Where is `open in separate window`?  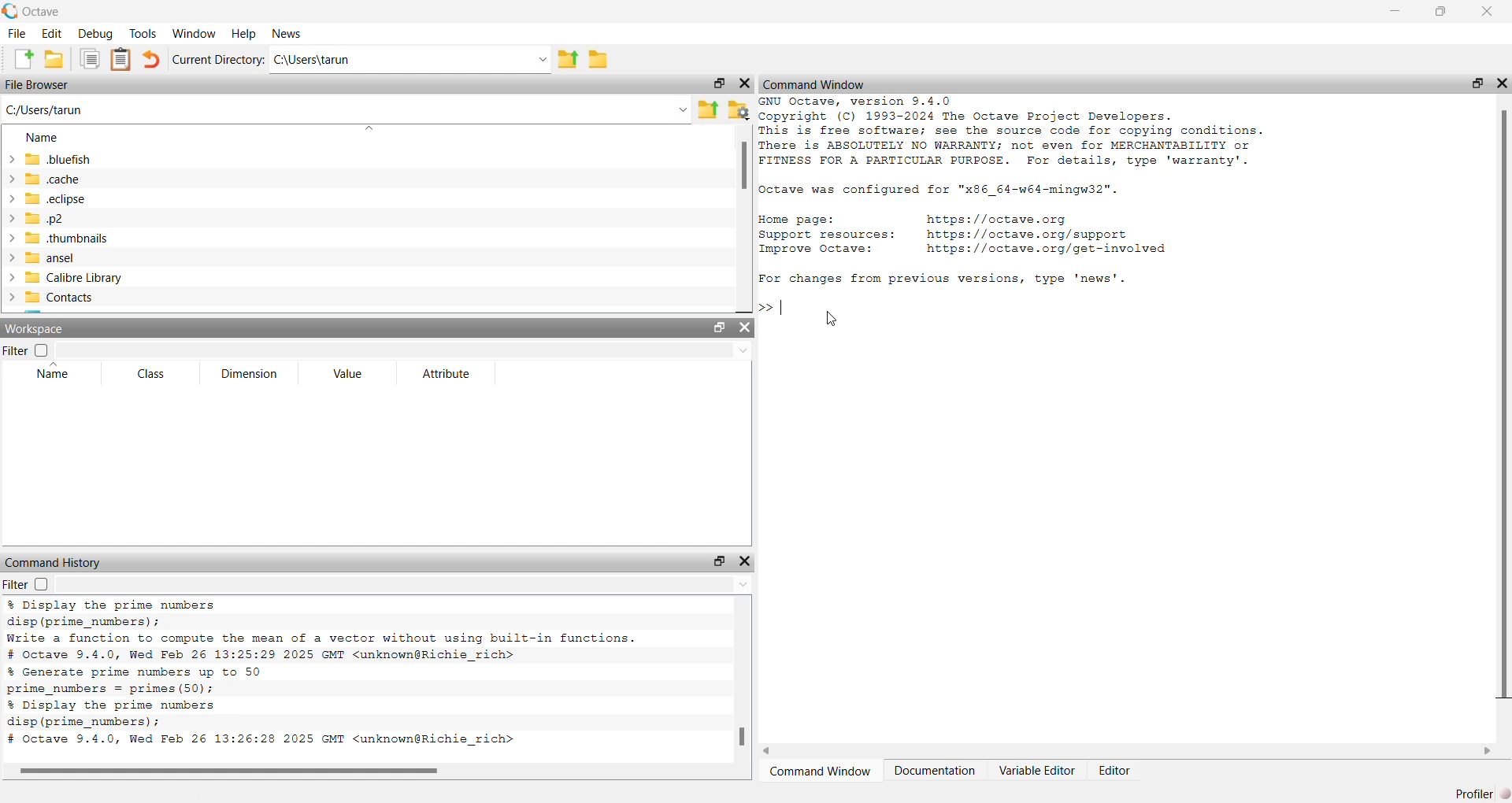
open in separate window is located at coordinates (717, 327).